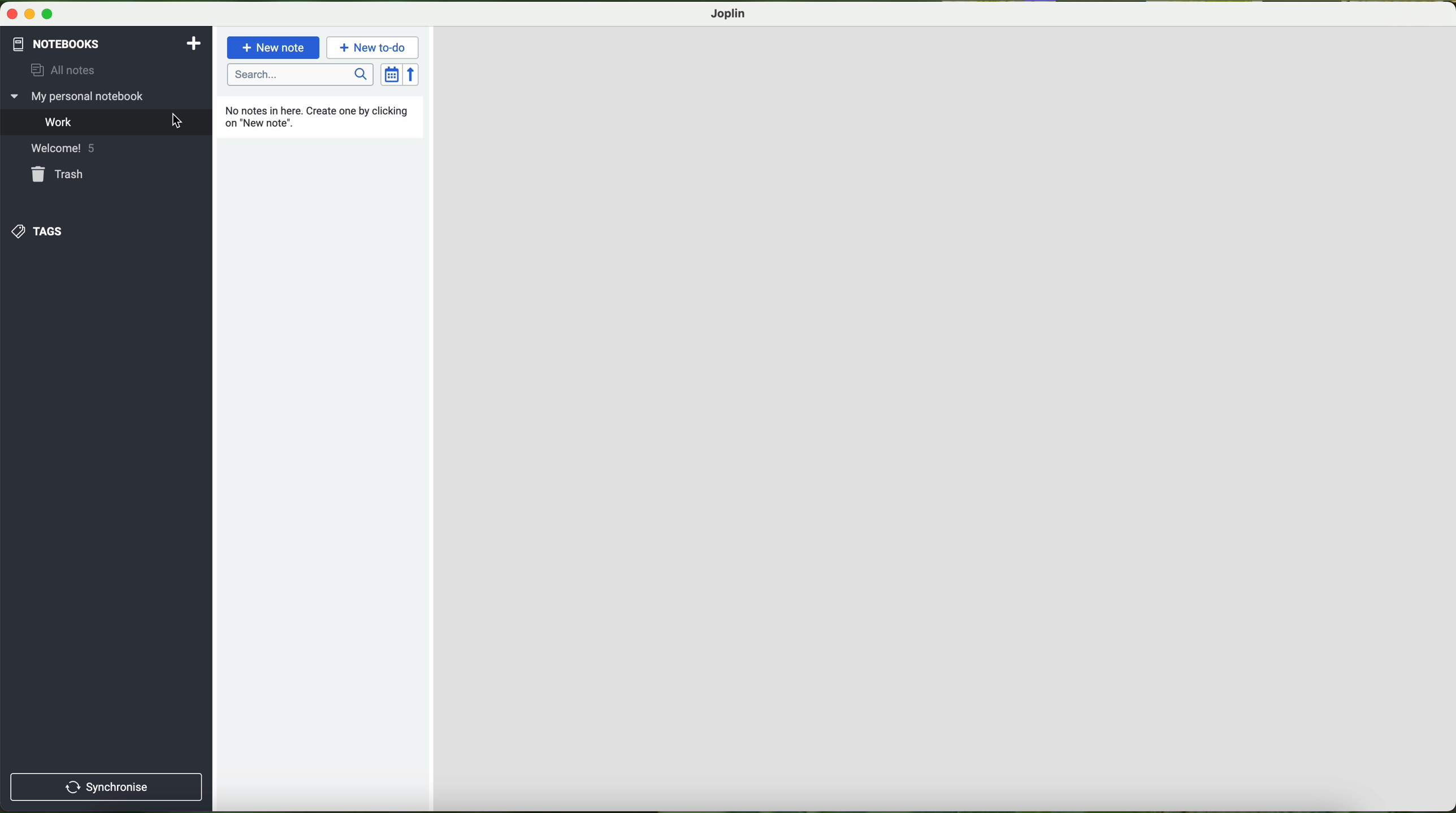 The width and height of the screenshot is (1456, 813). I want to click on , so click(415, 76).